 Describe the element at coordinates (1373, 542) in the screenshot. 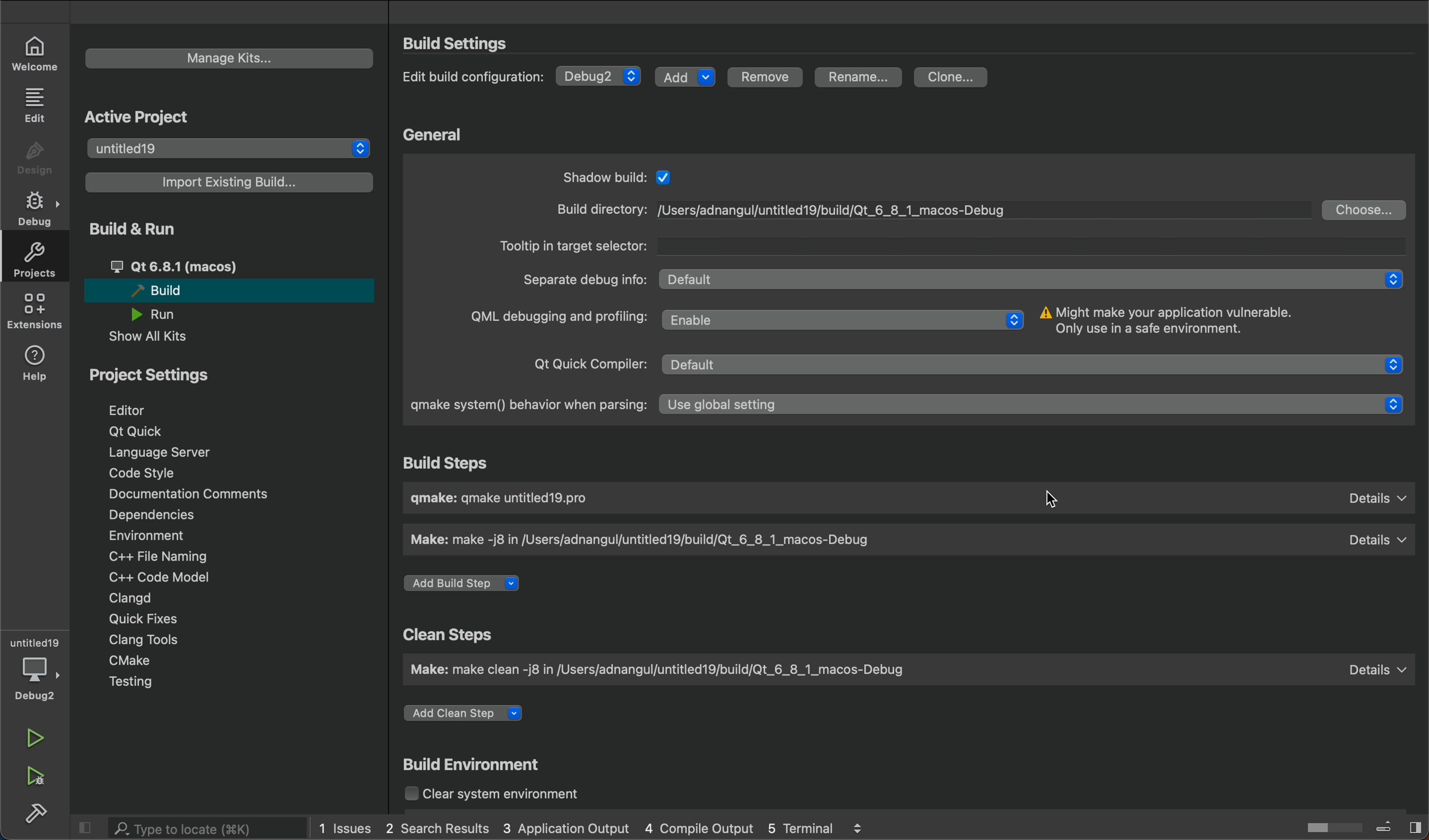

I see `default` at that location.